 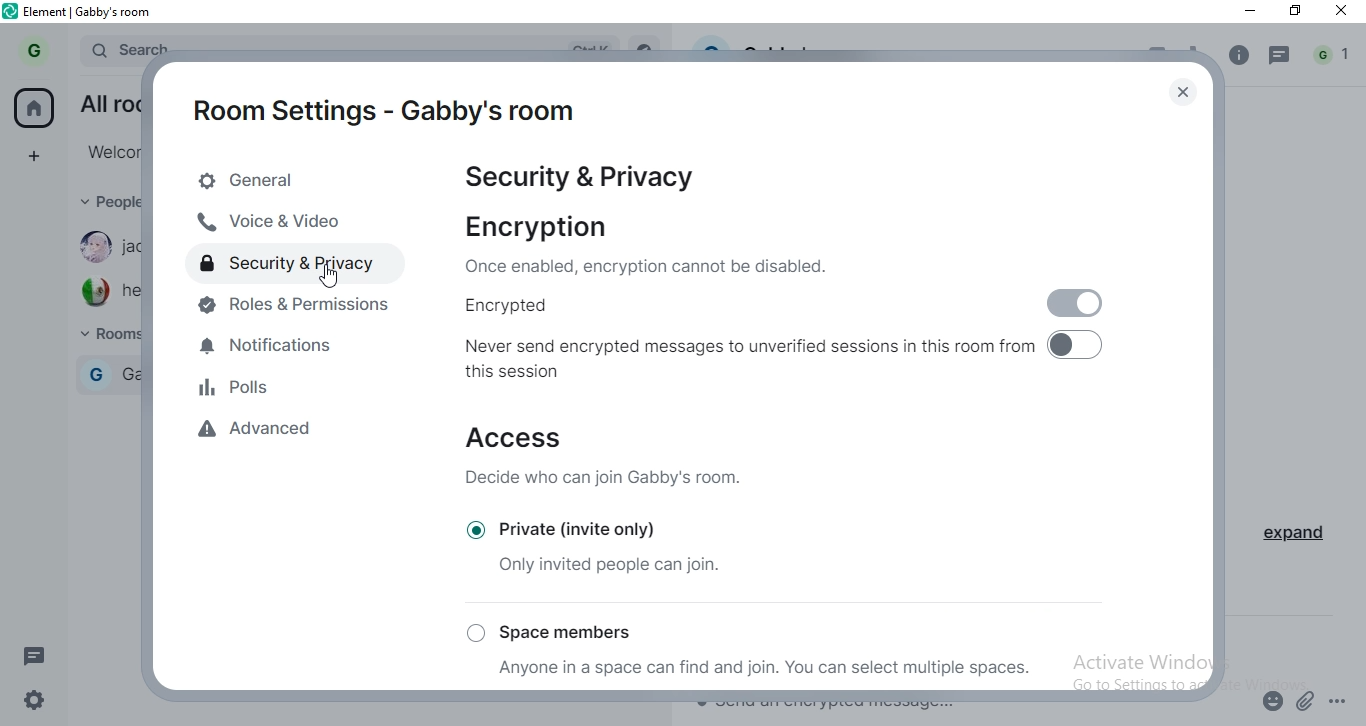 I want to click on on/off, so click(x=1084, y=345).